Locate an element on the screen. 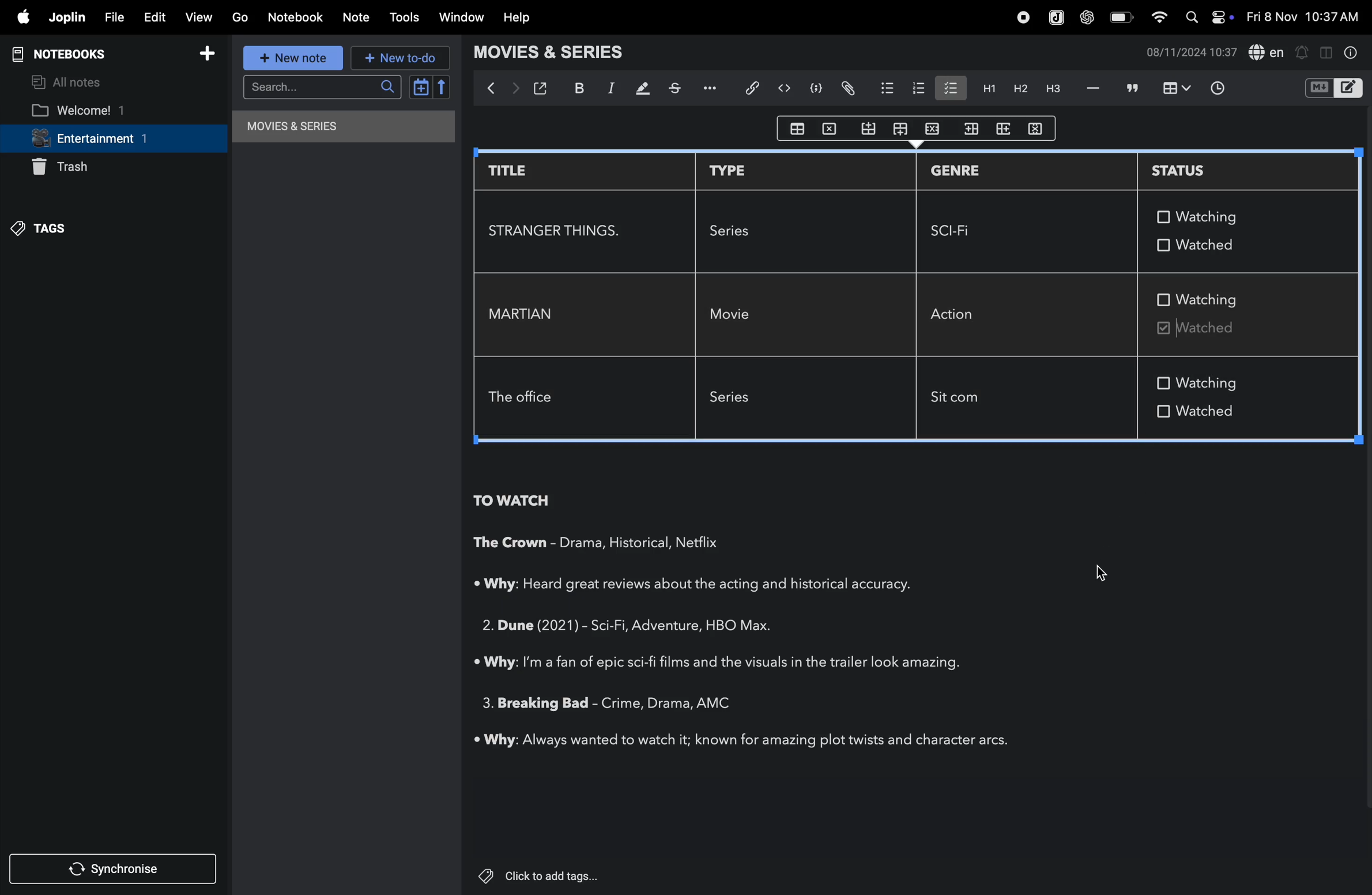 This screenshot has height=895, width=1372. entertainment is located at coordinates (110, 140).